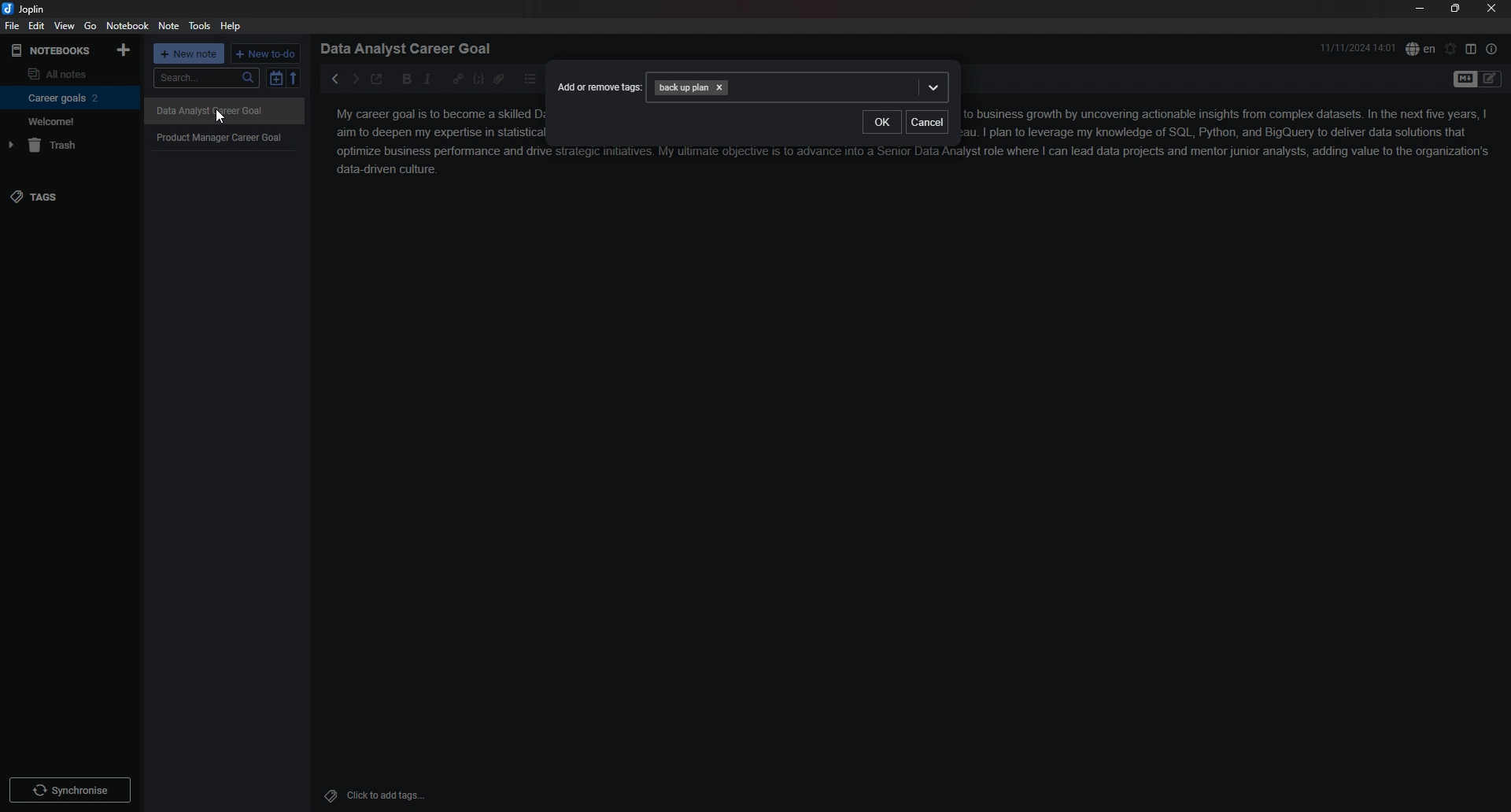  Describe the element at coordinates (457, 79) in the screenshot. I see `hyperlink` at that location.